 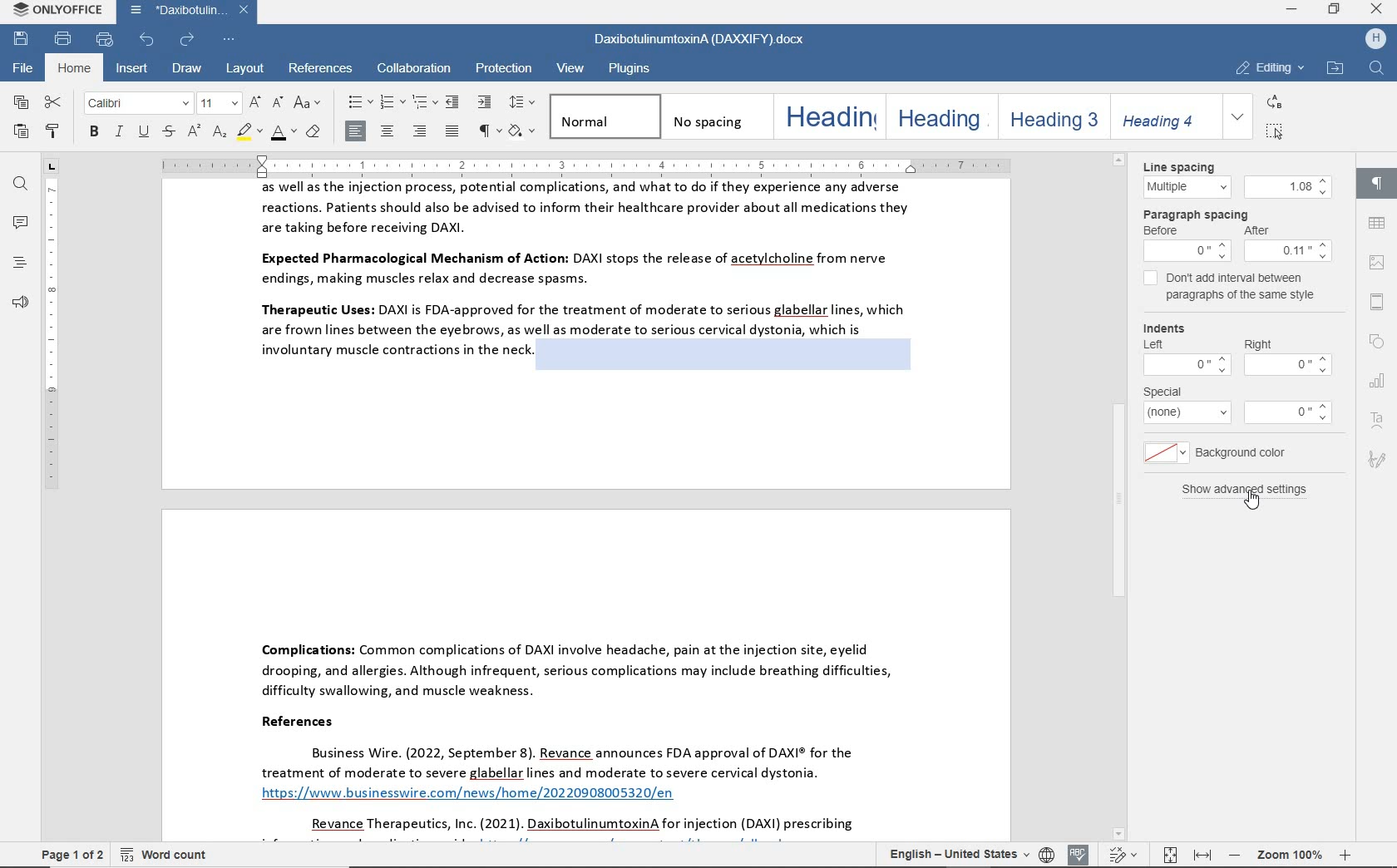 What do you see at coordinates (143, 133) in the screenshot?
I see `underline` at bounding box center [143, 133].